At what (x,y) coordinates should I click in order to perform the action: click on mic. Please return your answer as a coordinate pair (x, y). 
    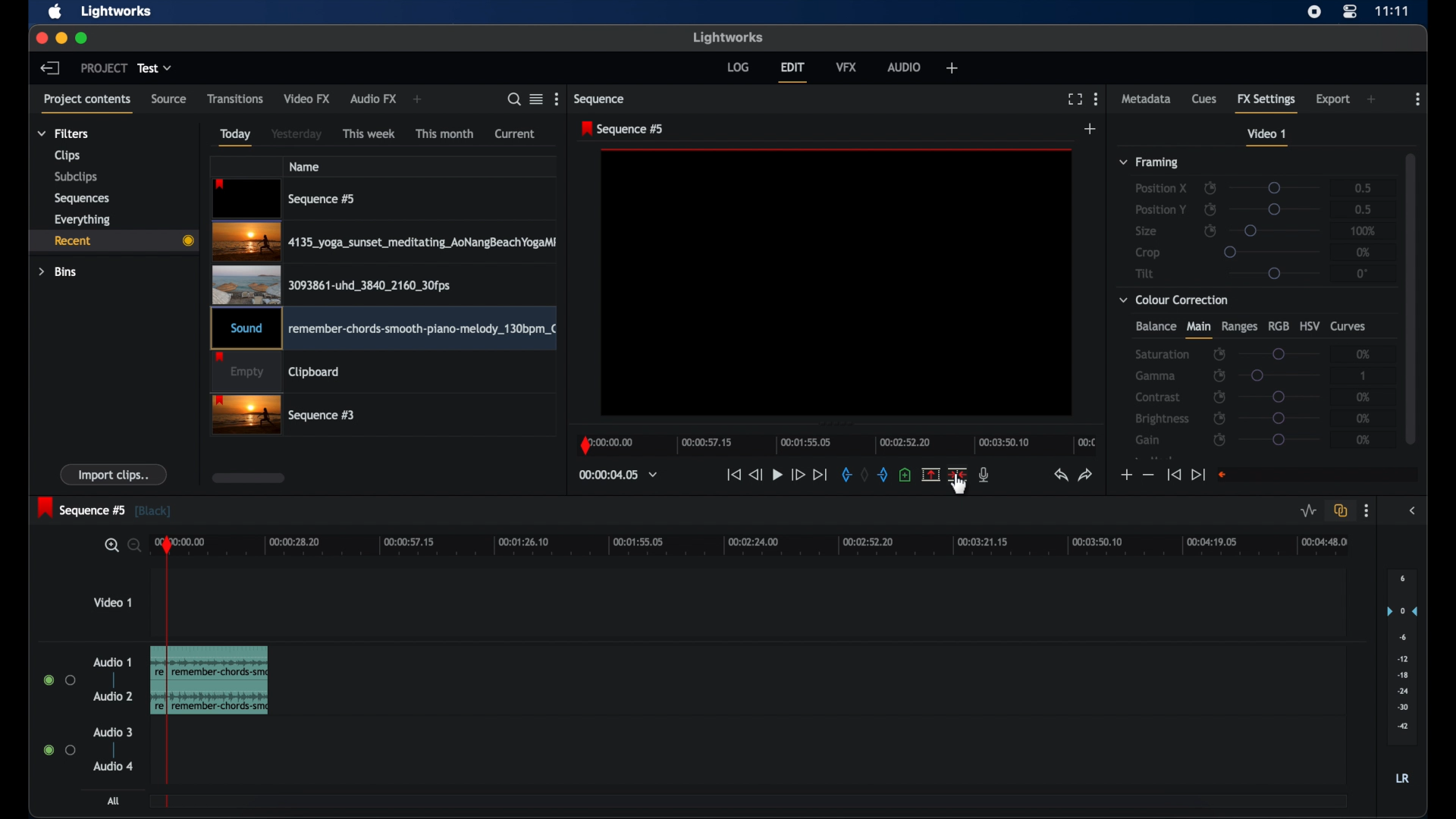
    Looking at the image, I should click on (984, 475).